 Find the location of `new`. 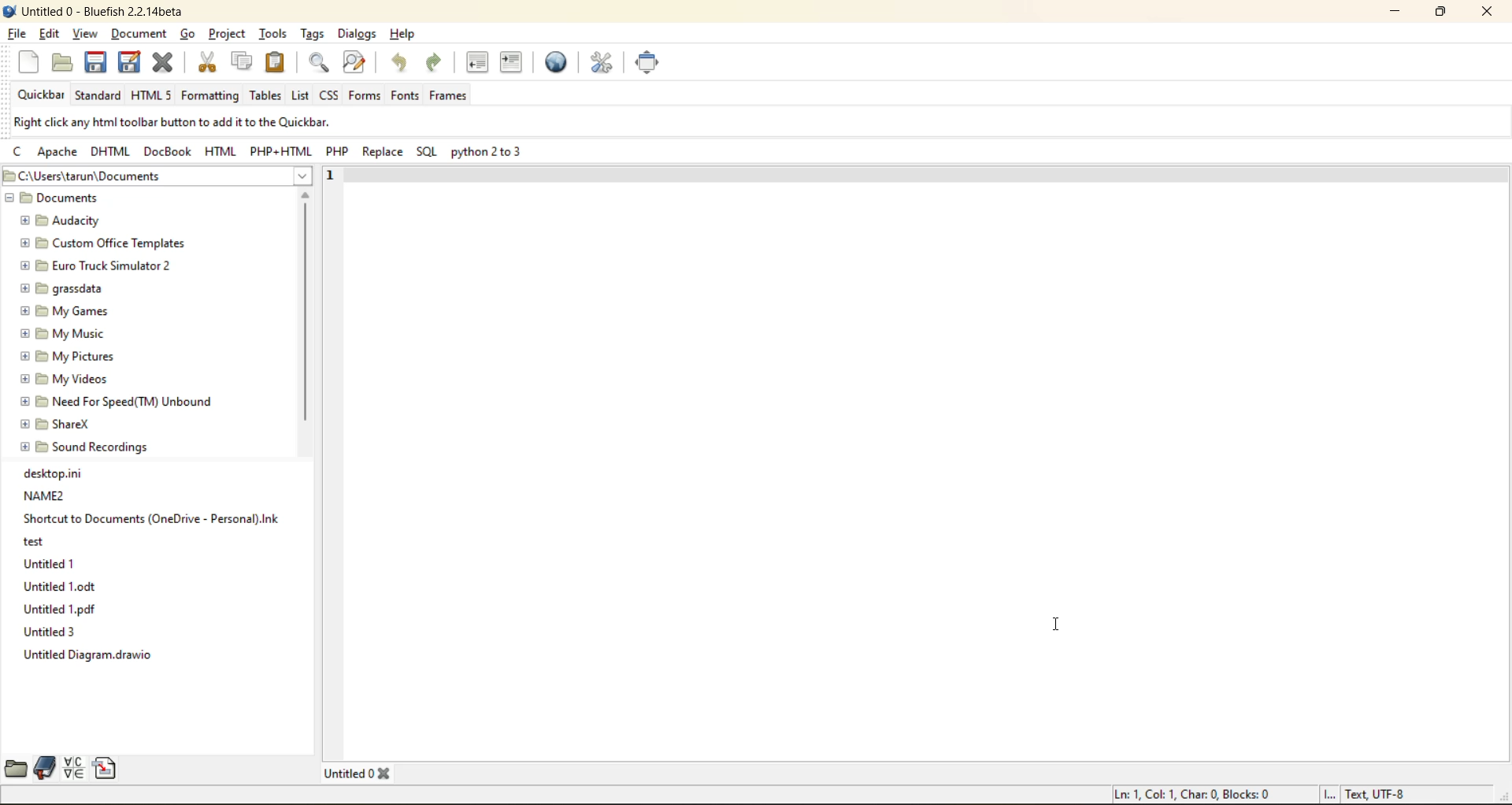

new is located at coordinates (29, 63).